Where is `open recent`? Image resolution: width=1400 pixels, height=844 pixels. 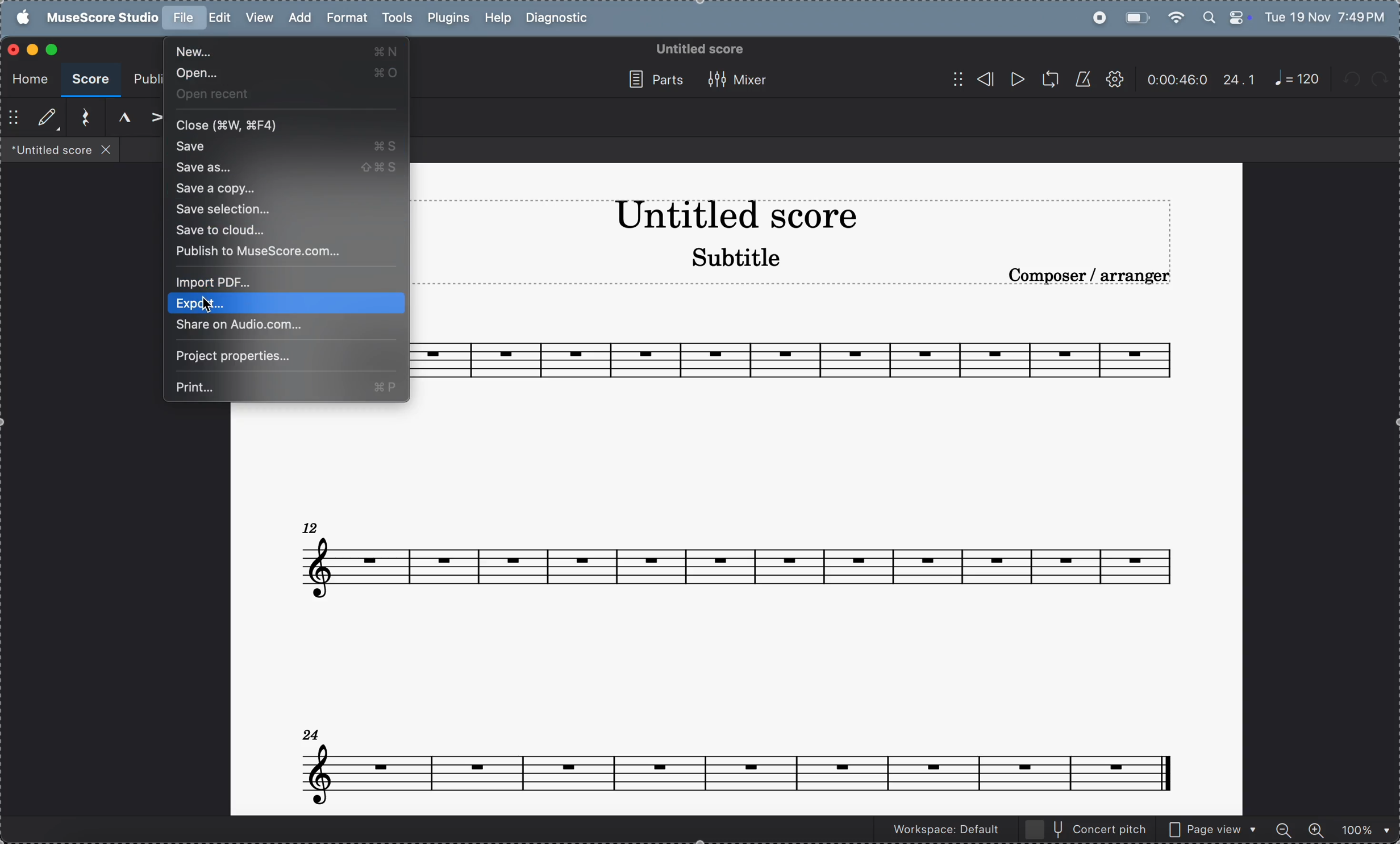 open recent is located at coordinates (284, 94).